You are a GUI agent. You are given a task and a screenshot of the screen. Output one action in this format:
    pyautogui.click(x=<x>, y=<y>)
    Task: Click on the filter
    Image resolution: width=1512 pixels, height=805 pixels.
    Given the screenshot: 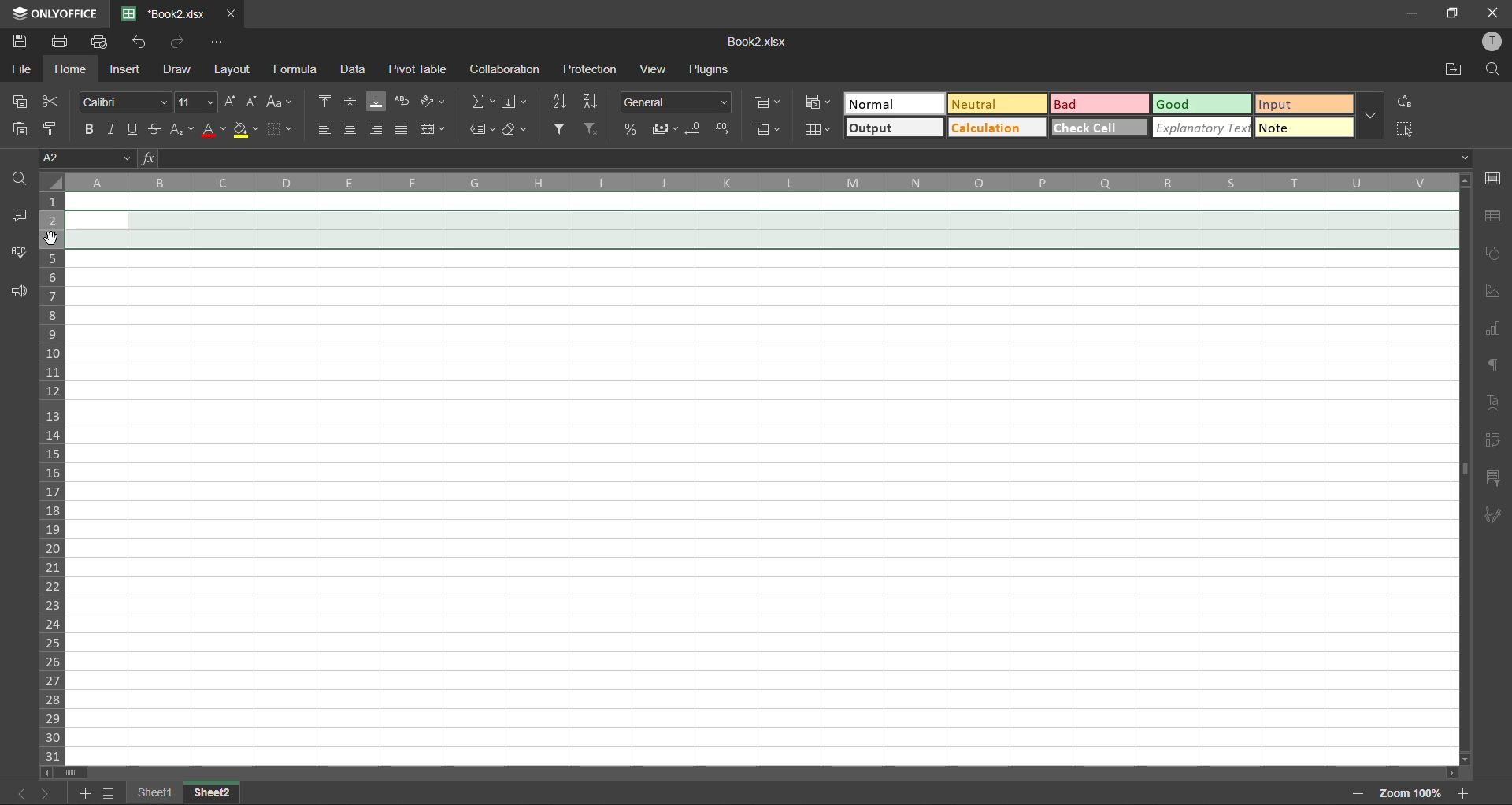 What is the action you would take?
    pyautogui.click(x=562, y=129)
    